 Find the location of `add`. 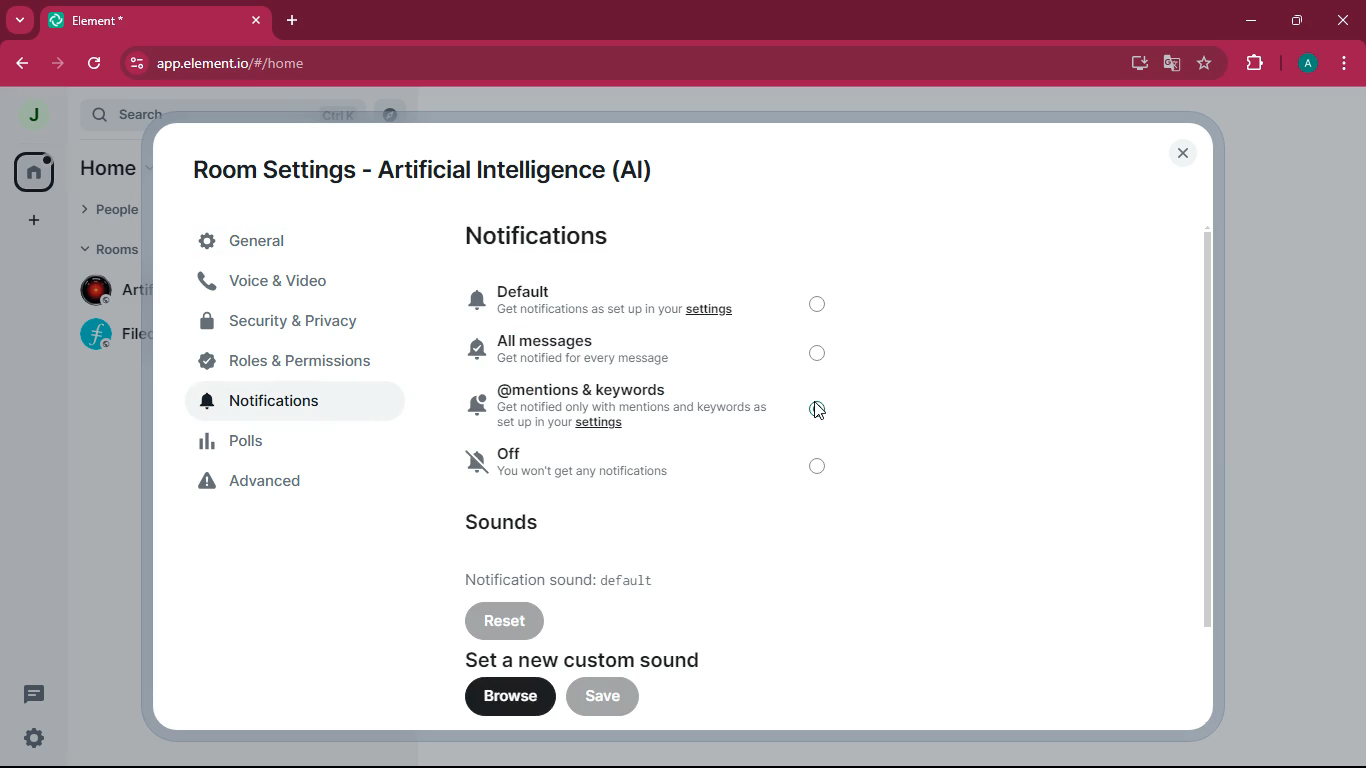

add is located at coordinates (34, 224).